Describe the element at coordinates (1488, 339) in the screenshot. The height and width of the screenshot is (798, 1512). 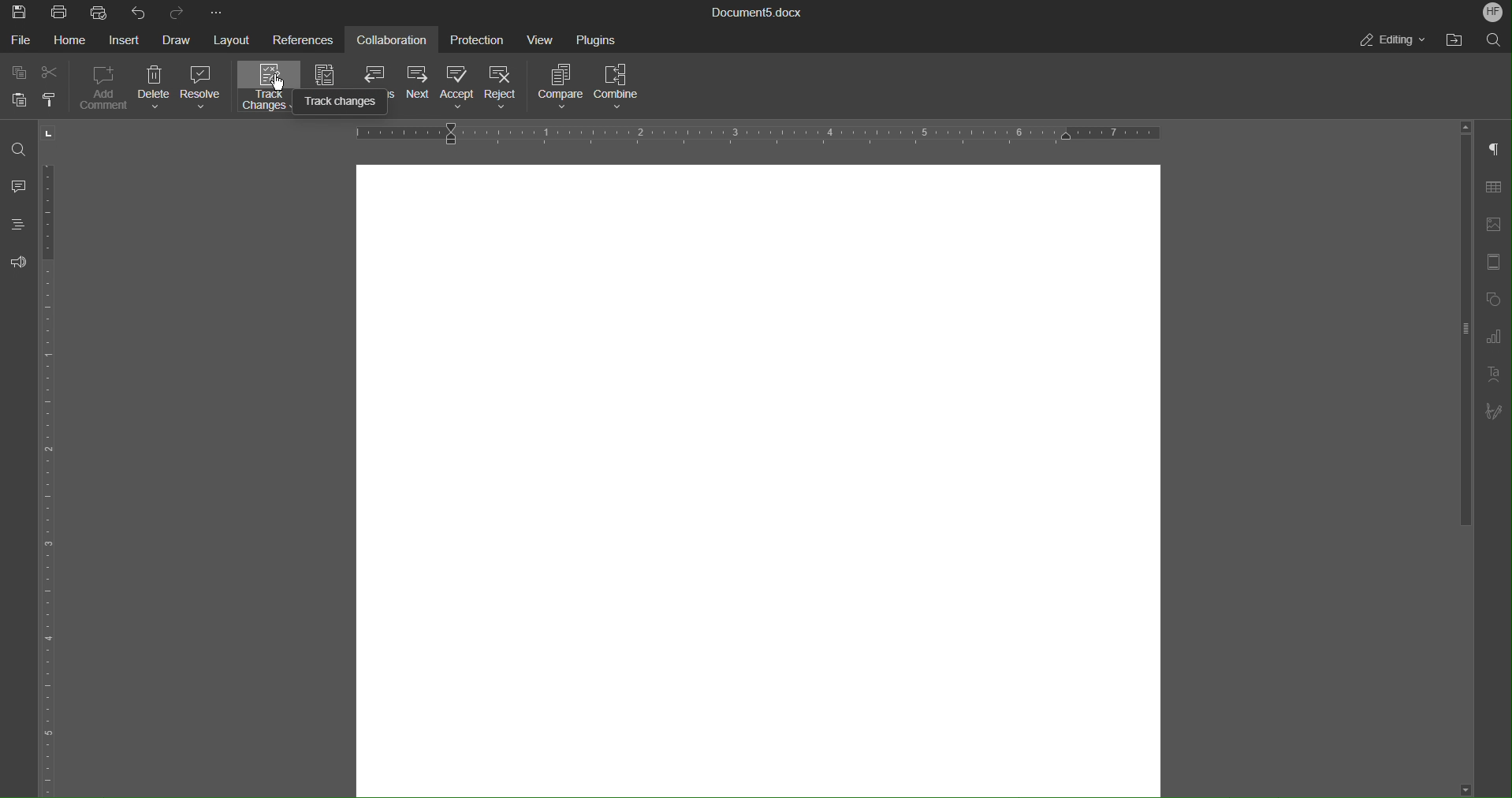
I see `Graph Settings` at that location.